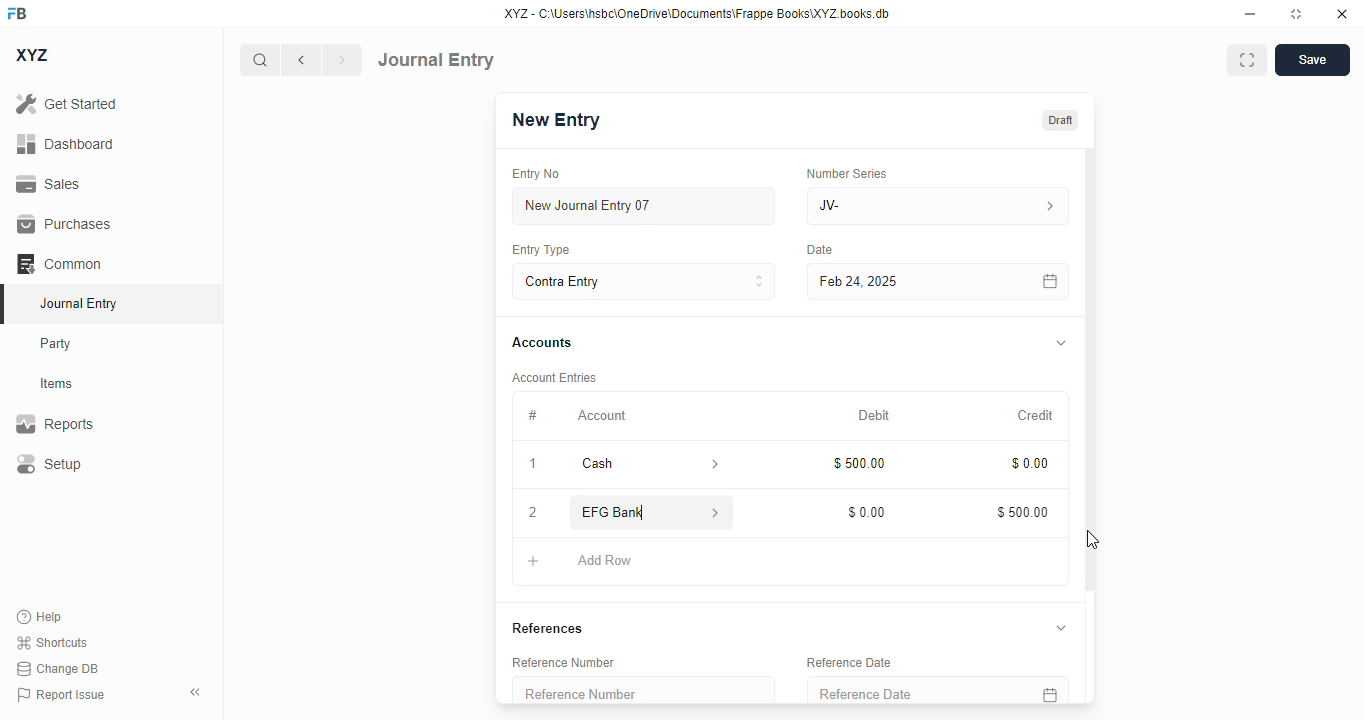 The image size is (1364, 720). I want to click on vertical scroll bar, so click(1090, 426).